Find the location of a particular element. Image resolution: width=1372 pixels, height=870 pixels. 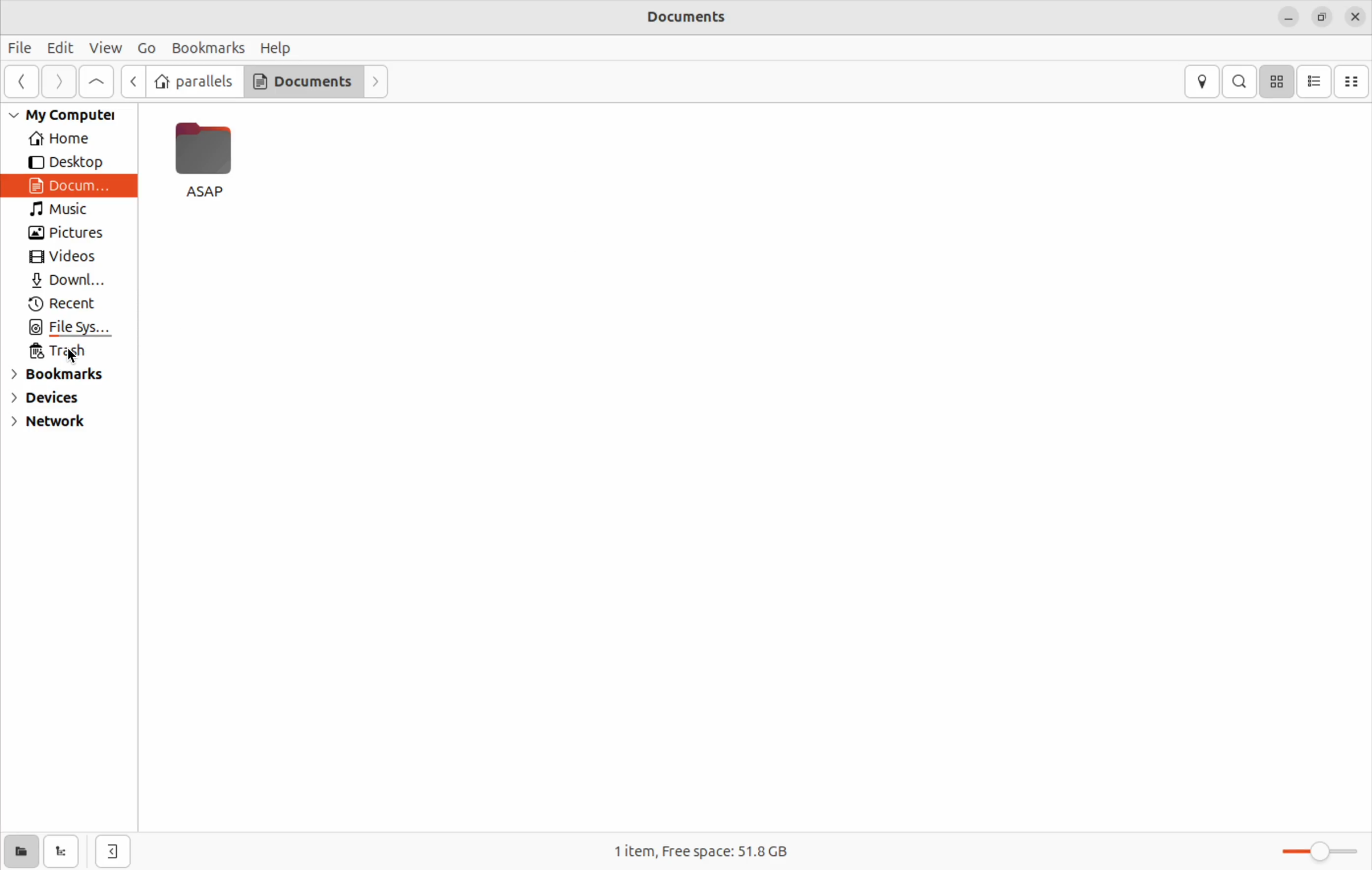

Edit is located at coordinates (59, 47).